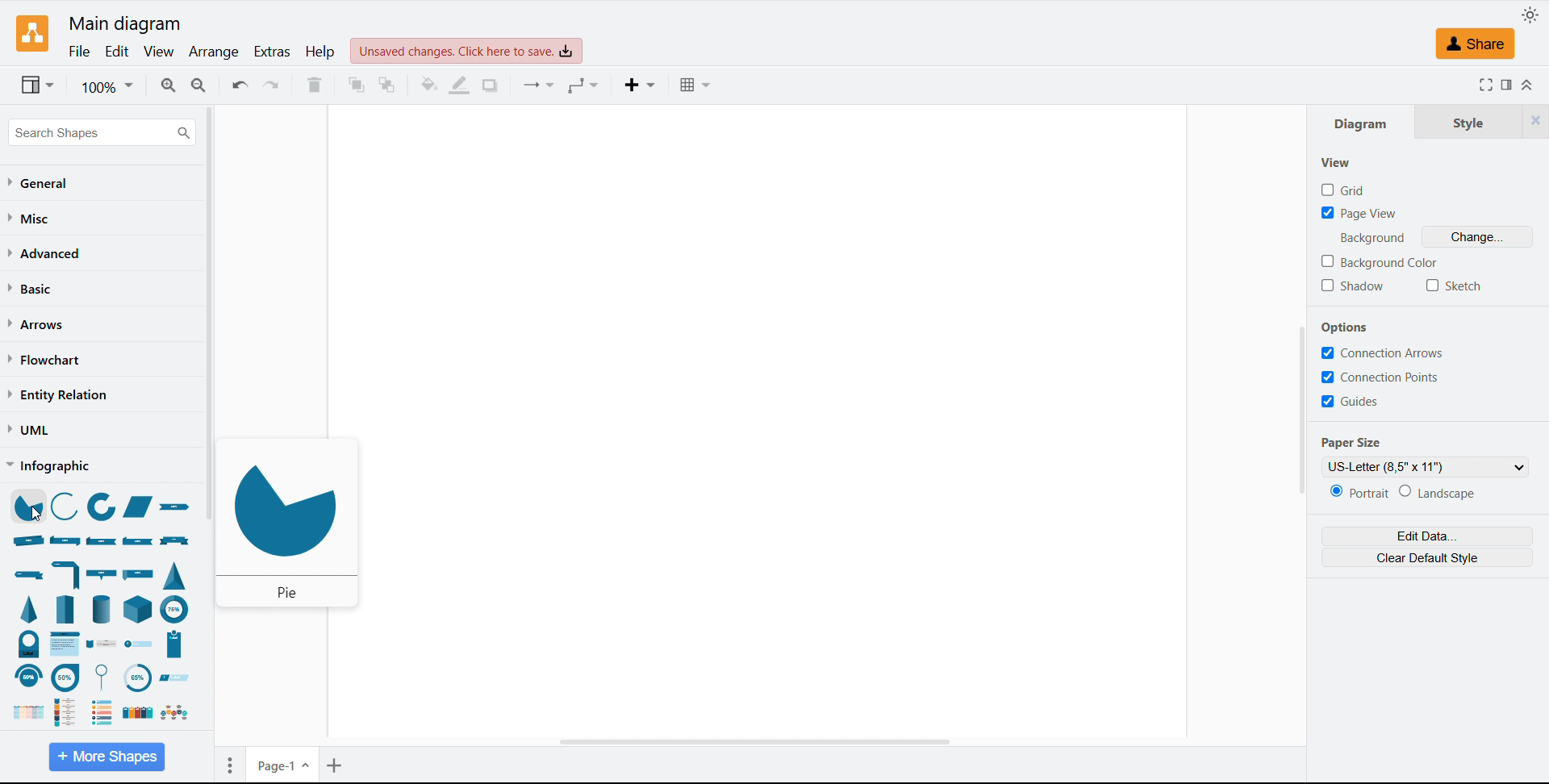 The height and width of the screenshot is (784, 1549). What do you see at coordinates (63, 643) in the screenshot?
I see `chevron list` at bounding box center [63, 643].